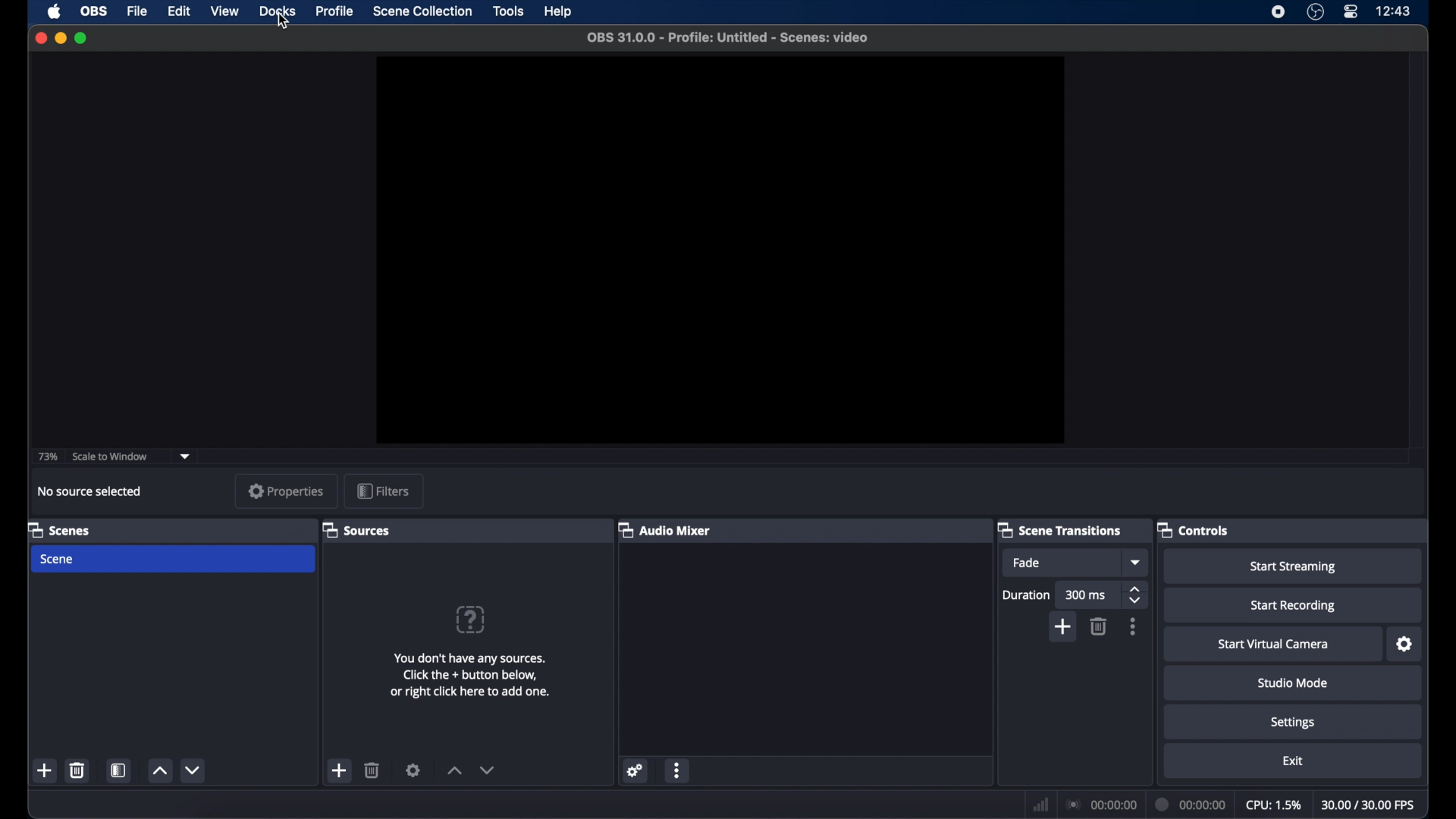  What do you see at coordinates (1293, 761) in the screenshot?
I see `exit` at bounding box center [1293, 761].